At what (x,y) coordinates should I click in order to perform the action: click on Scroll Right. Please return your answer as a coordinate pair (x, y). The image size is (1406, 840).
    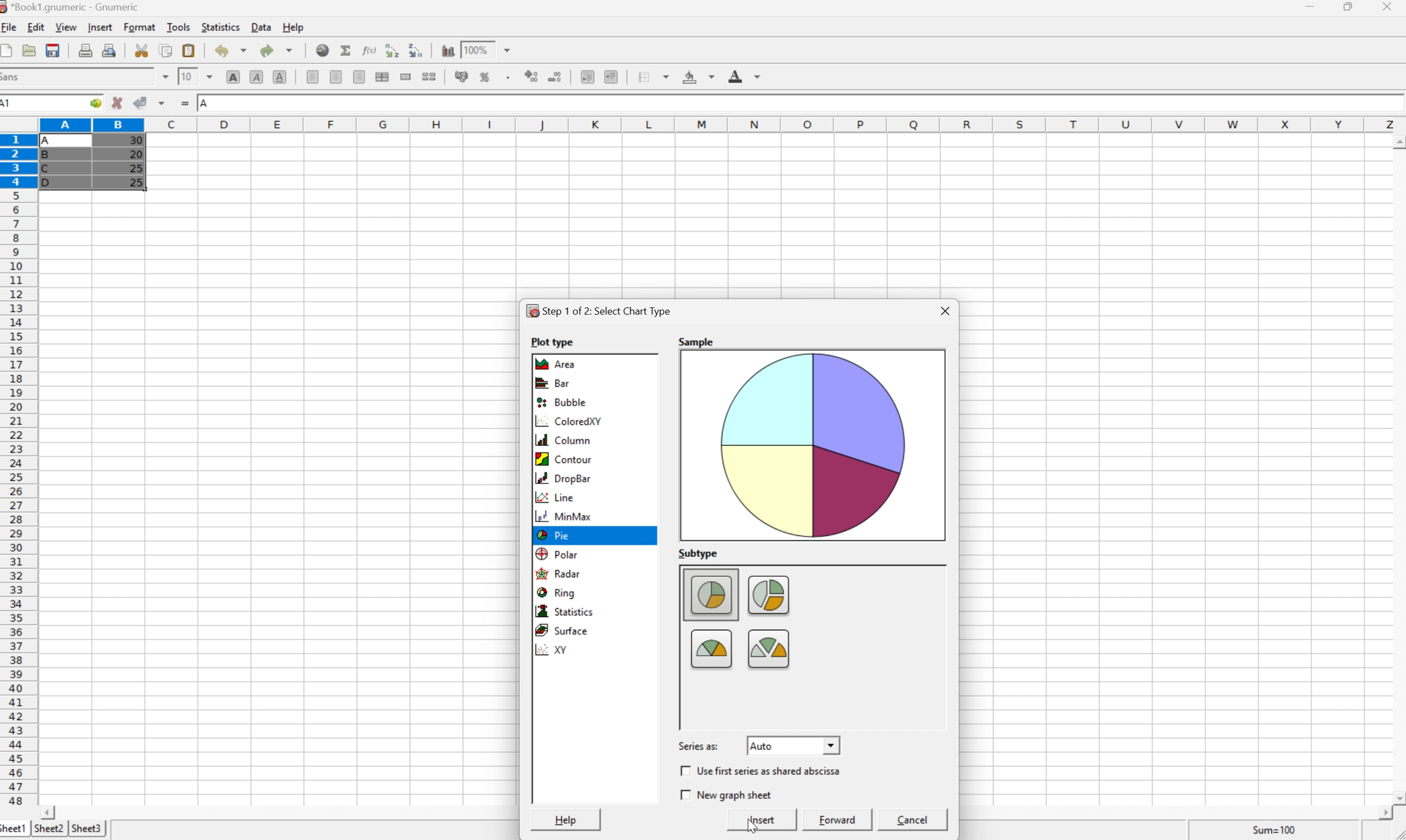
    Looking at the image, I should click on (1381, 813).